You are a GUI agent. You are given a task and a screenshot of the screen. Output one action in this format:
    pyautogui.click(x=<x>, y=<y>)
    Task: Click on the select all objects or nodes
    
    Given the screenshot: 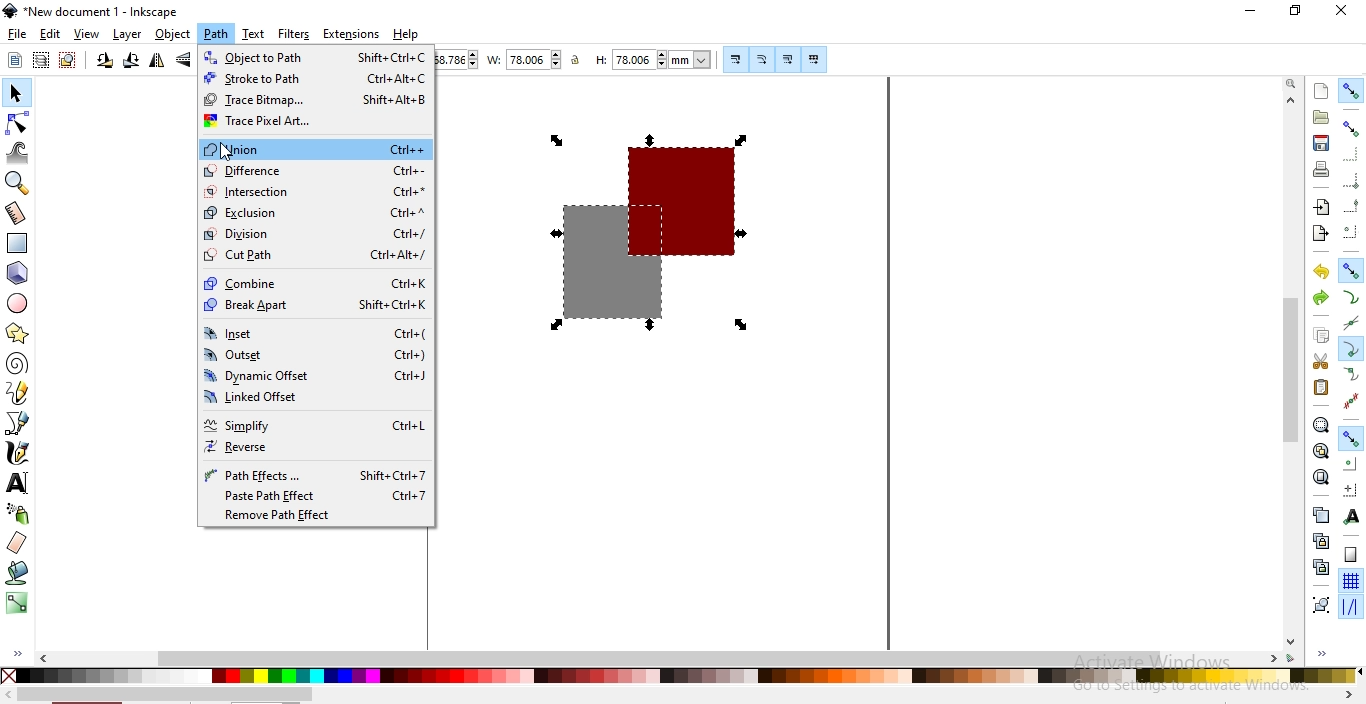 What is the action you would take?
    pyautogui.click(x=16, y=59)
    